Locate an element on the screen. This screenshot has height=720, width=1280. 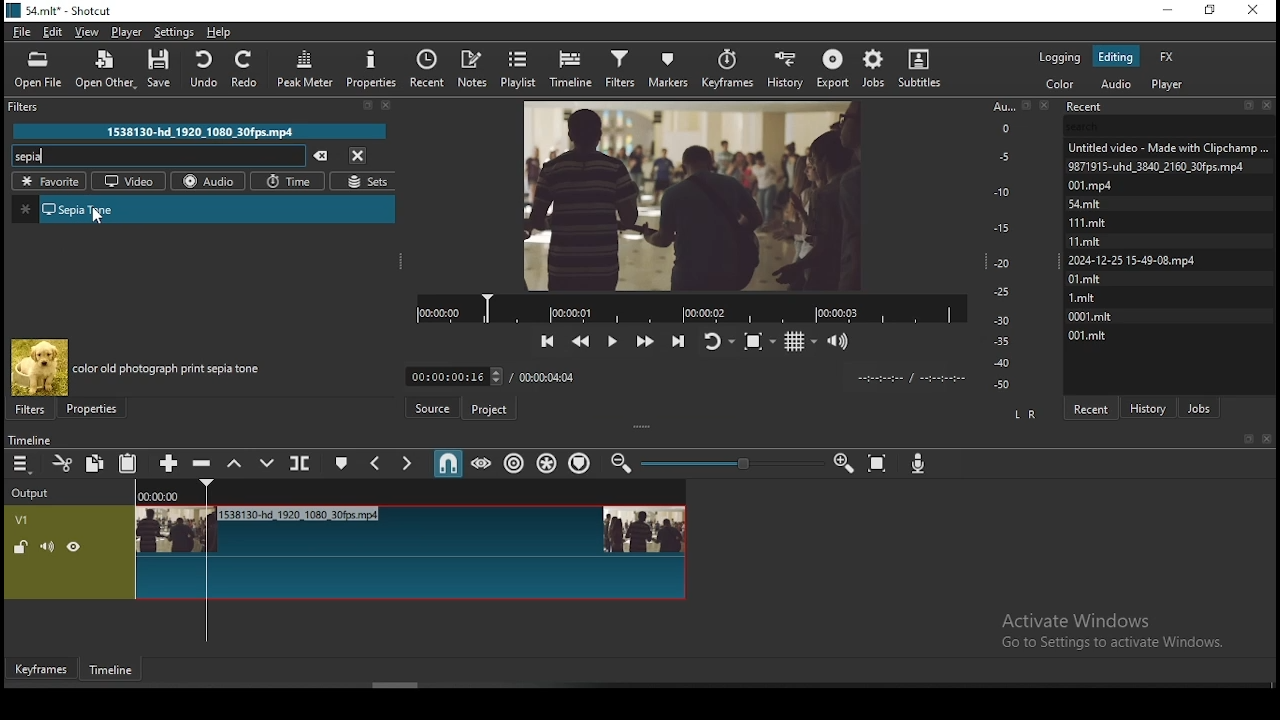
sepia tone is located at coordinates (205, 208).